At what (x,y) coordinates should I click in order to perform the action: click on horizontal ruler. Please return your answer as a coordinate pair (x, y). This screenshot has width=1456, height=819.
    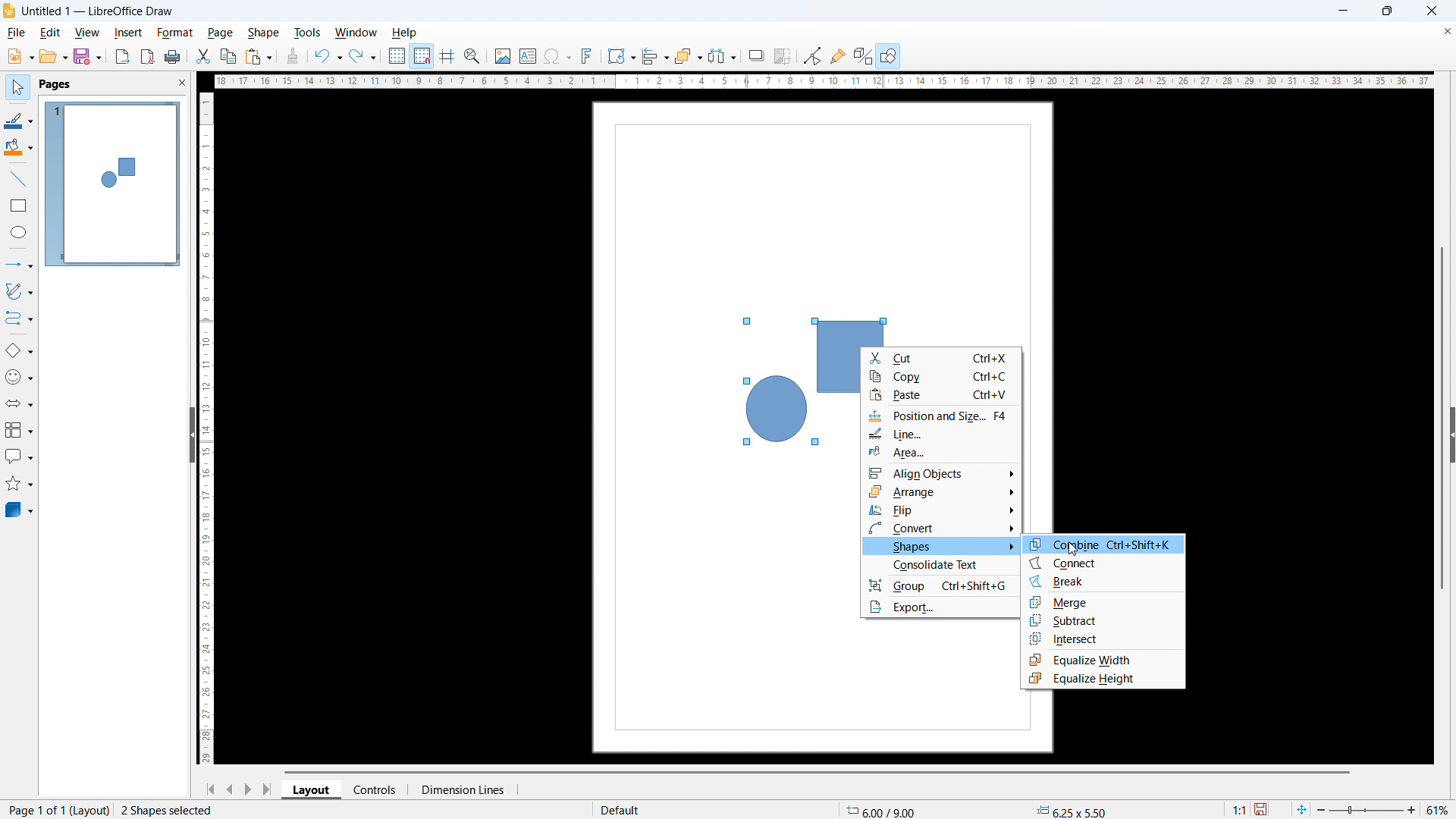
    Looking at the image, I should click on (823, 81).